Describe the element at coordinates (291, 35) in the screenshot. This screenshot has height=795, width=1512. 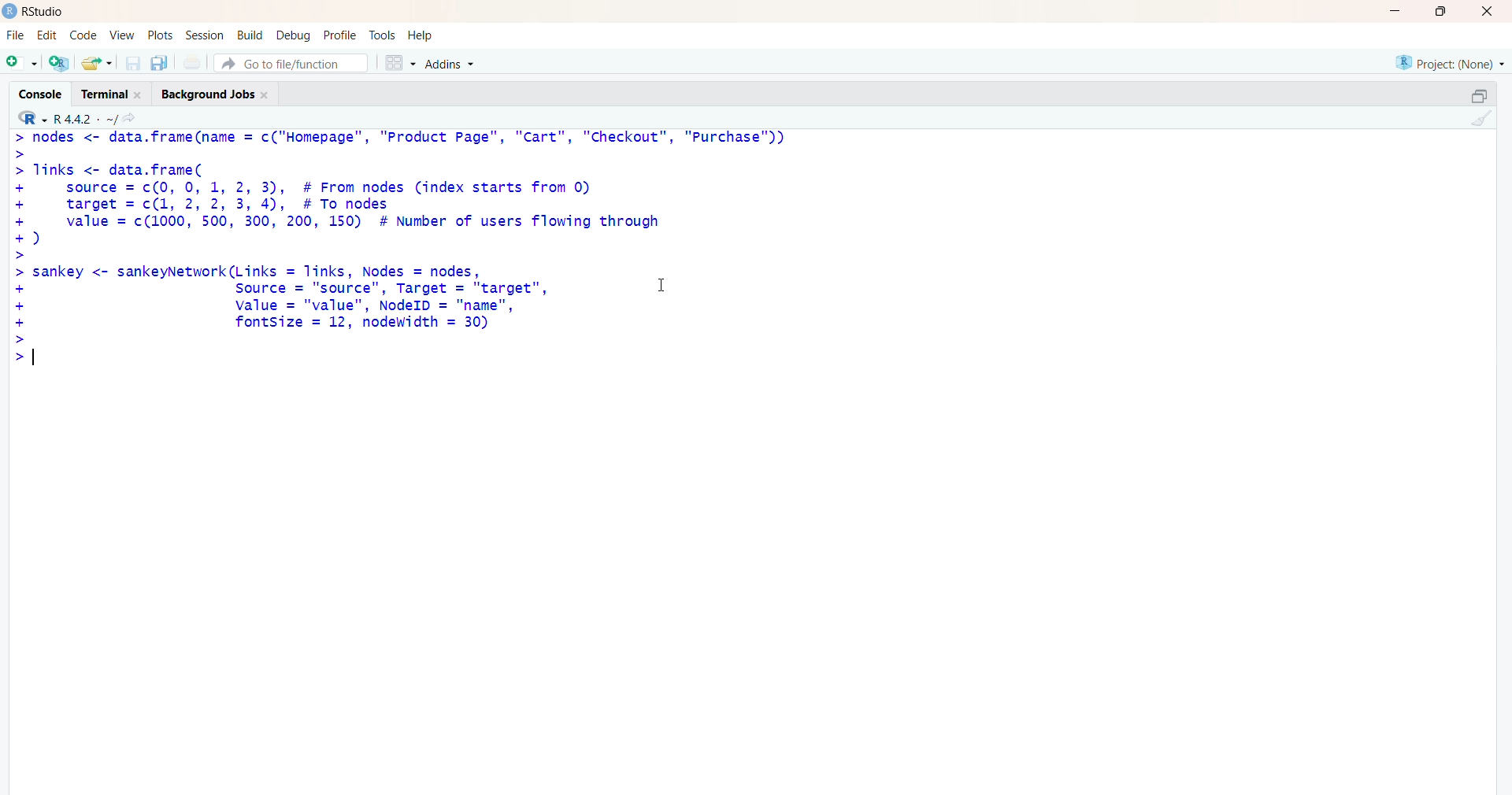
I see `debug` at that location.